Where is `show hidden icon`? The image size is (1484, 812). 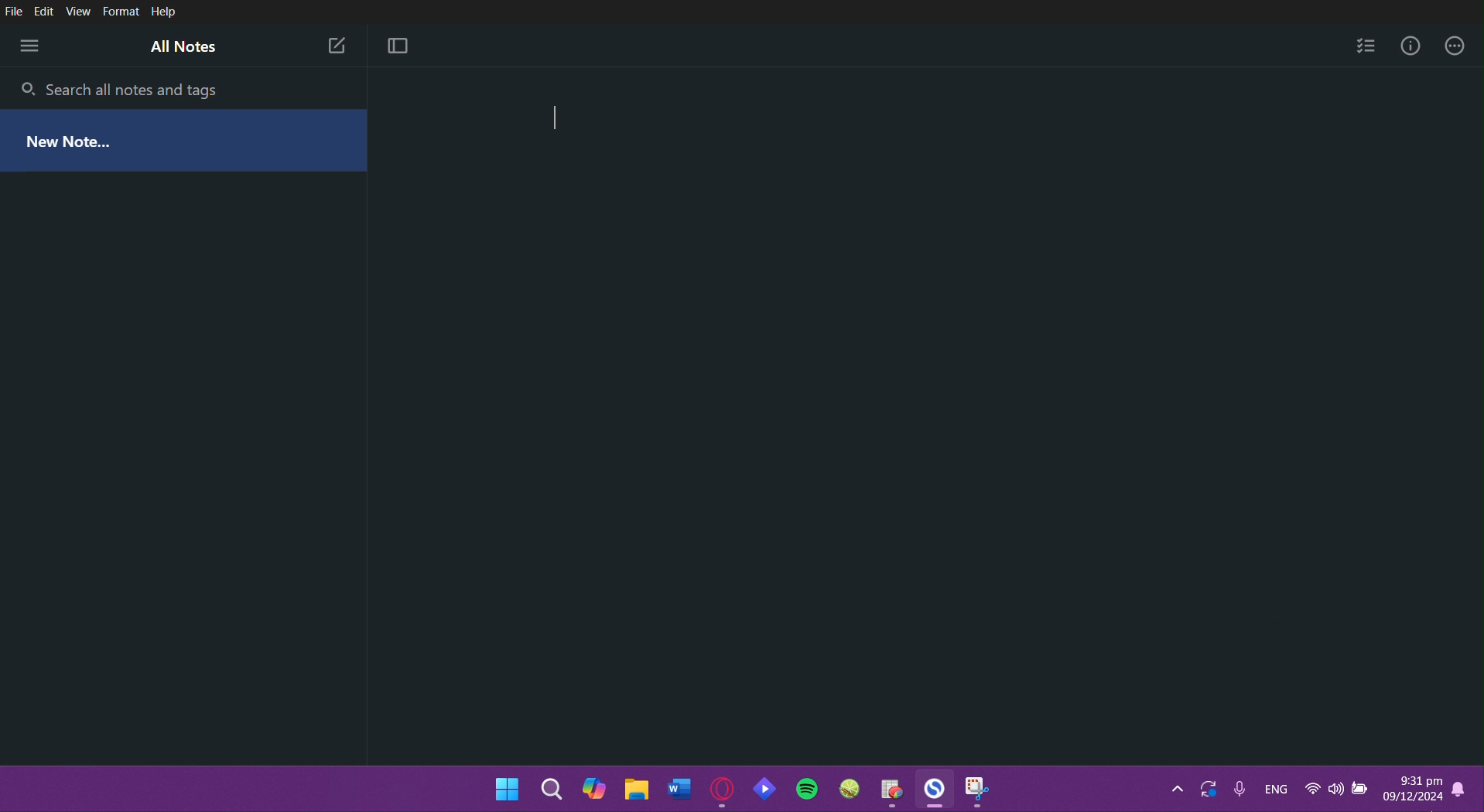 show hidden icon is located at coordinates (1166, 787).